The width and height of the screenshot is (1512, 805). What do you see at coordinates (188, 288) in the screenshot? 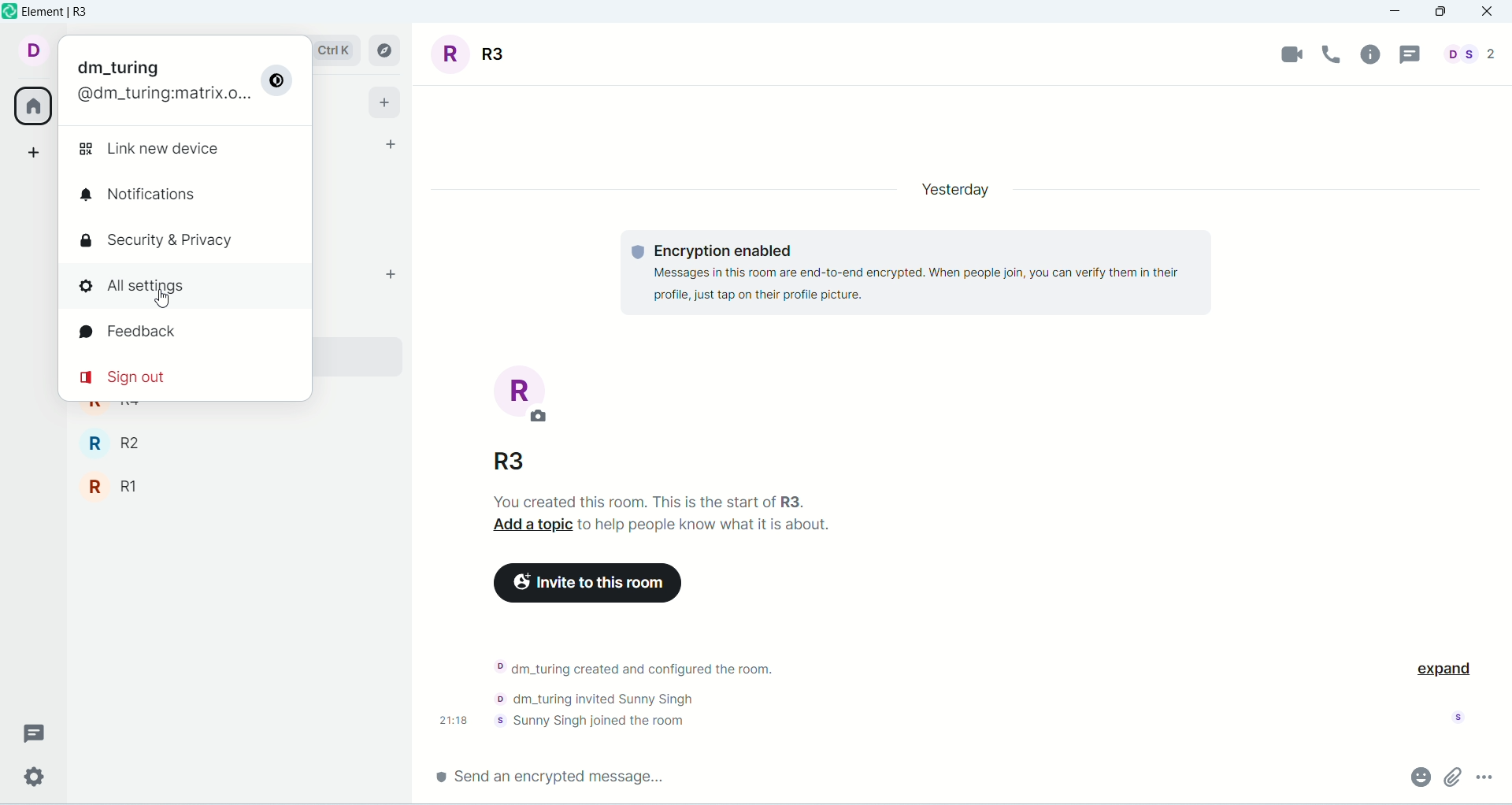
I see `all settings` at bounding box center [188, 288].